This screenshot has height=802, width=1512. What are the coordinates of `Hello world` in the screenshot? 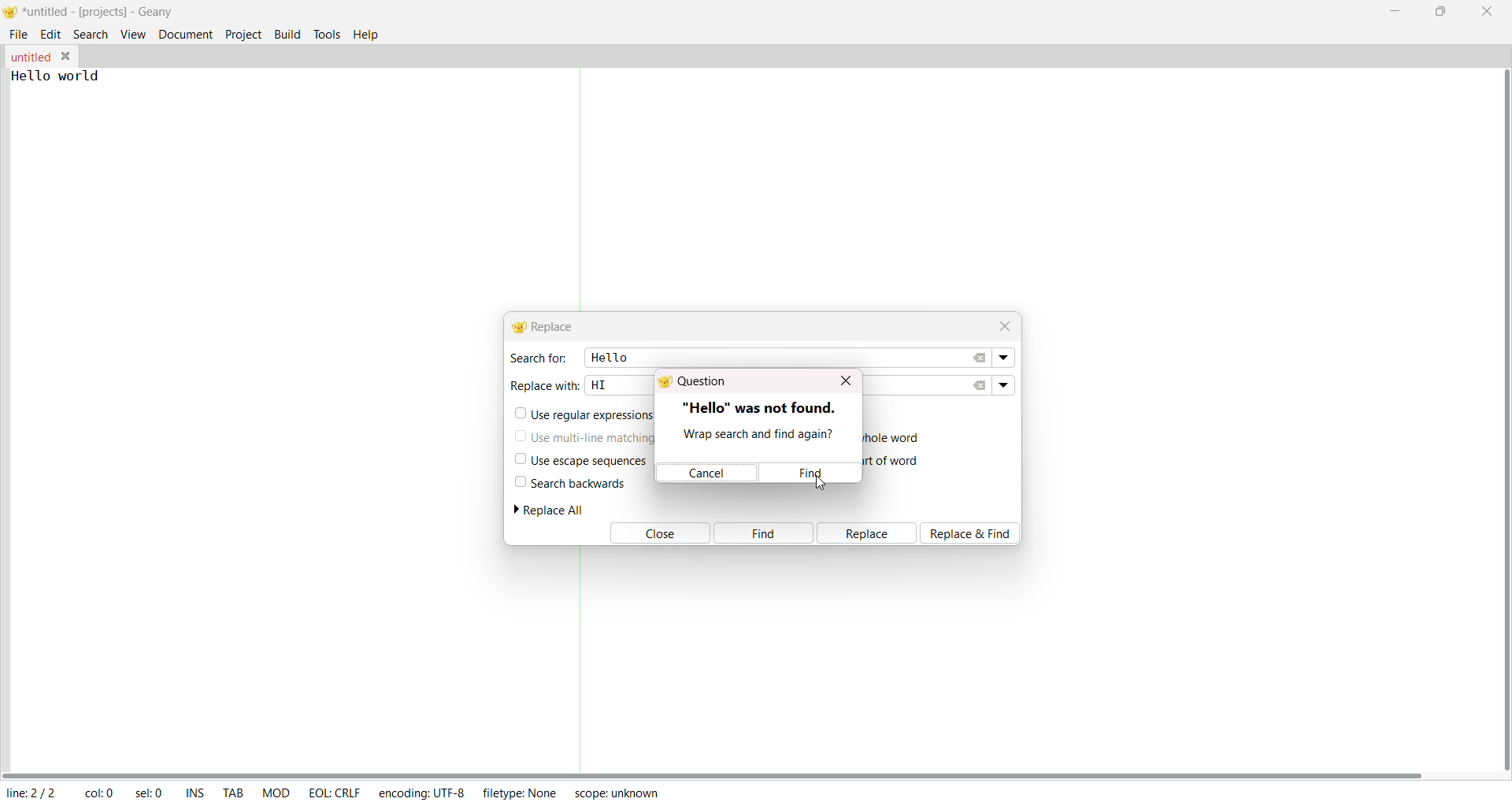 It's located at (68, 76).